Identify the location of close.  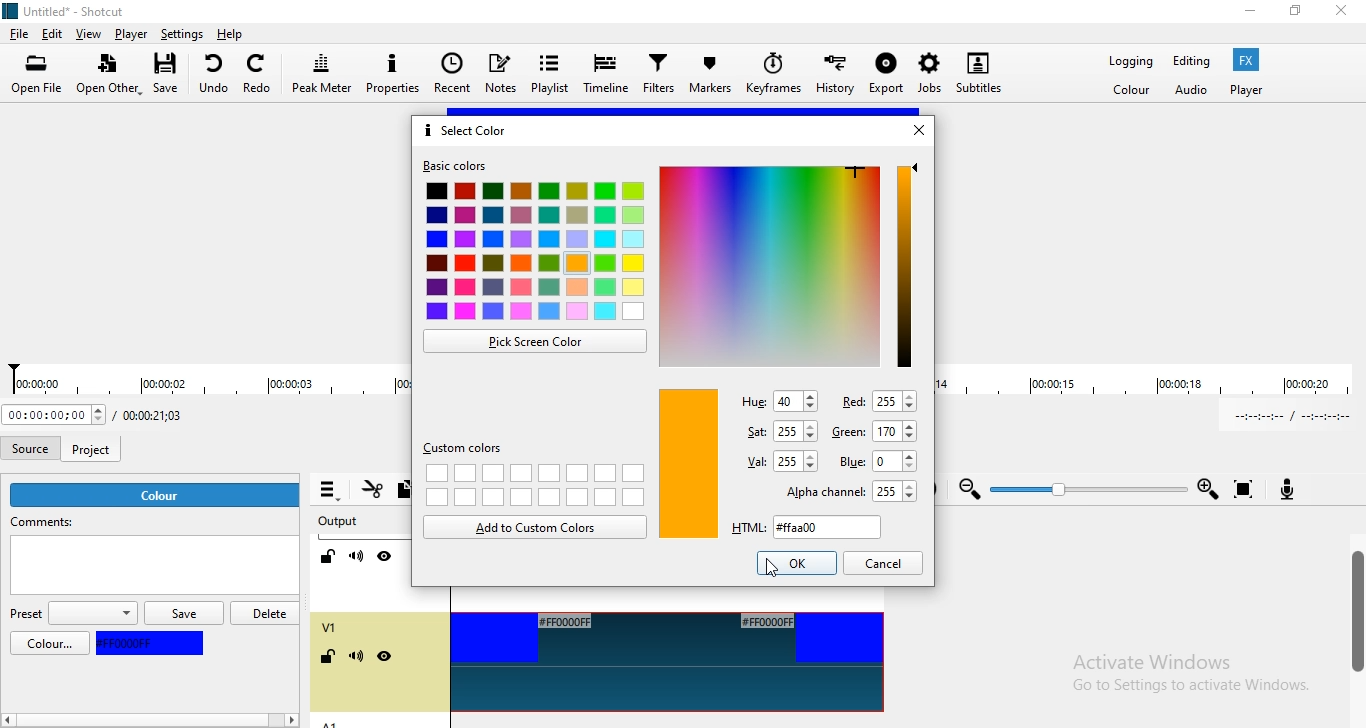
(925, 130).